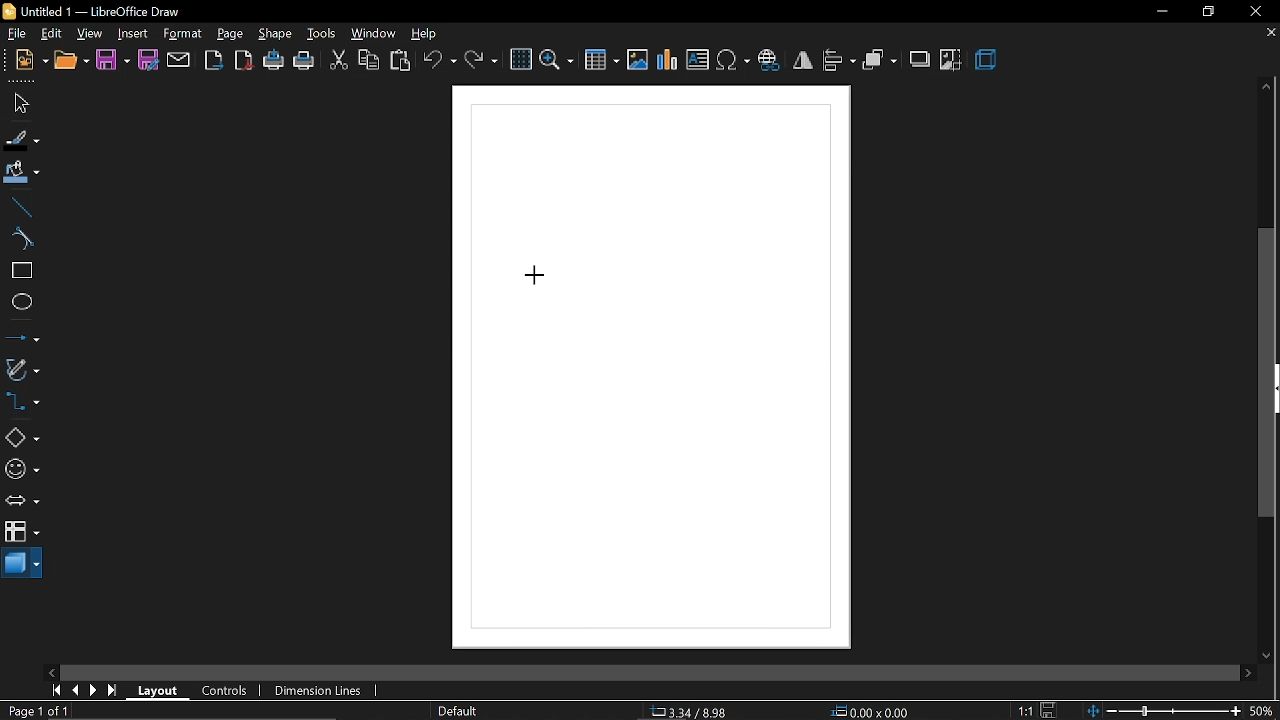 This screenshot has height=720, width=1280. I want to click on fill line, so click(20, 138).